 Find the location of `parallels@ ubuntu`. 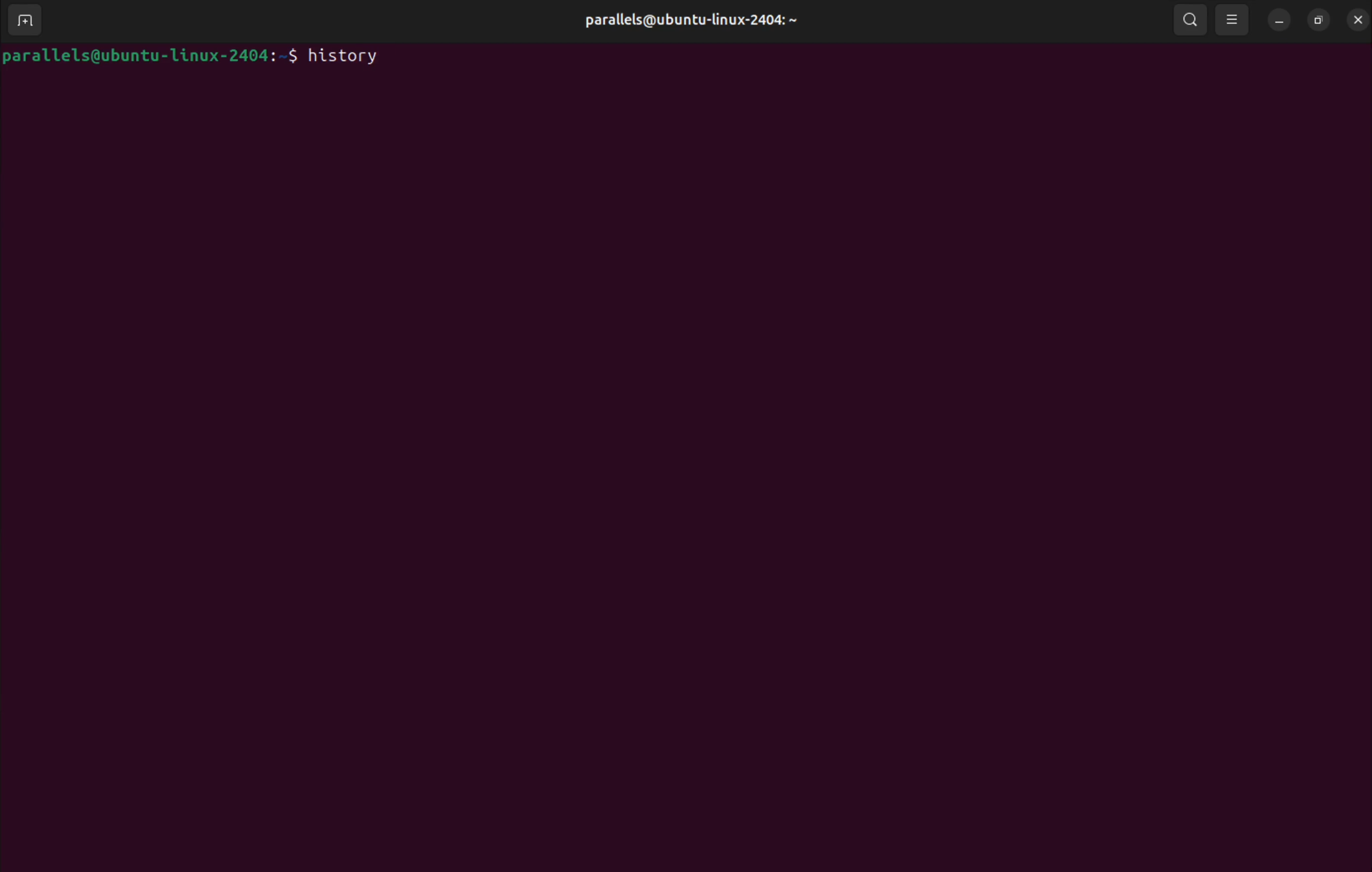

parallels@ ubuntu is located at coordinates (687, 18).